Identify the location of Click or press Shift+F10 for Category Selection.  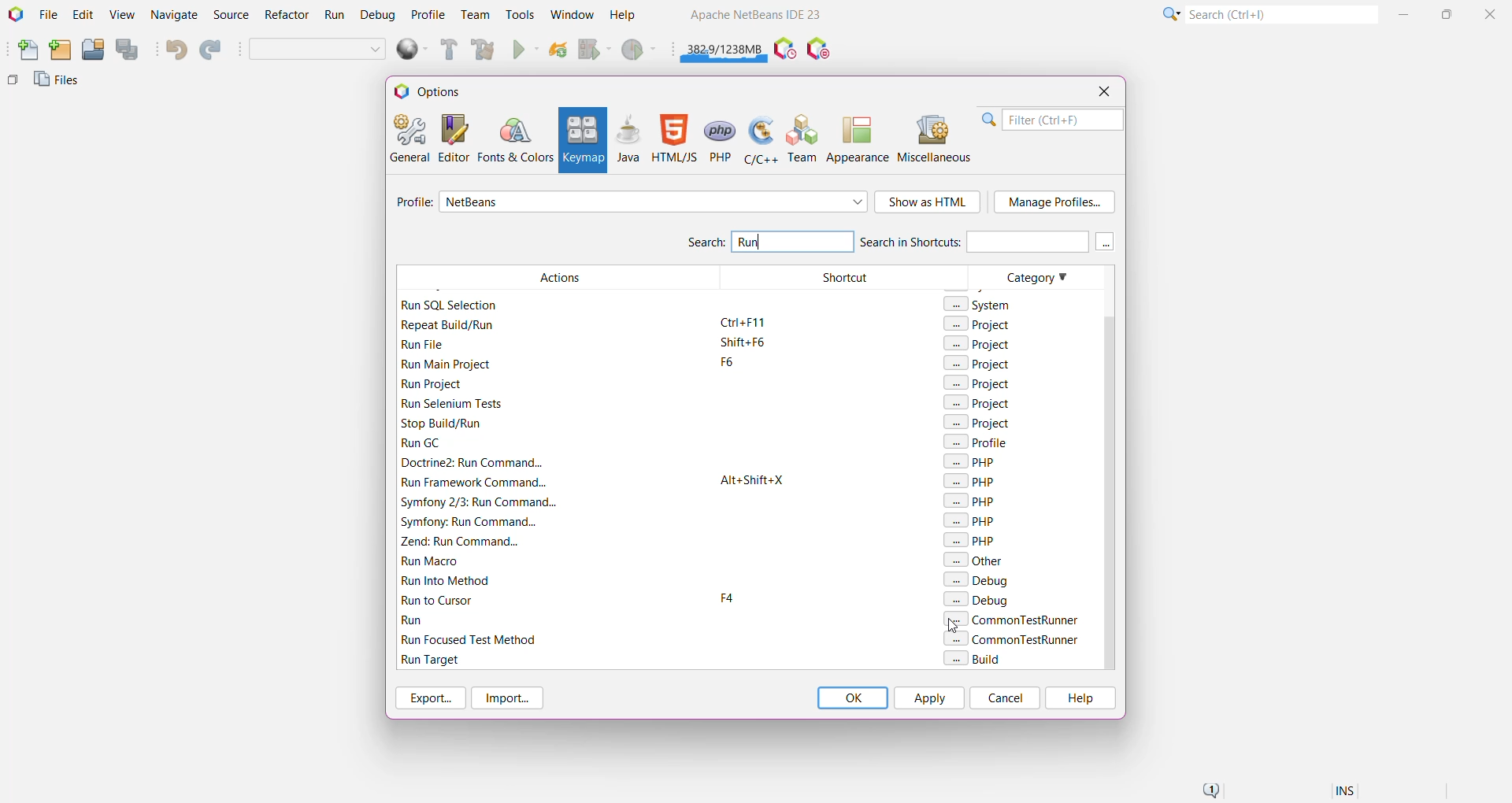
(1169, 13).